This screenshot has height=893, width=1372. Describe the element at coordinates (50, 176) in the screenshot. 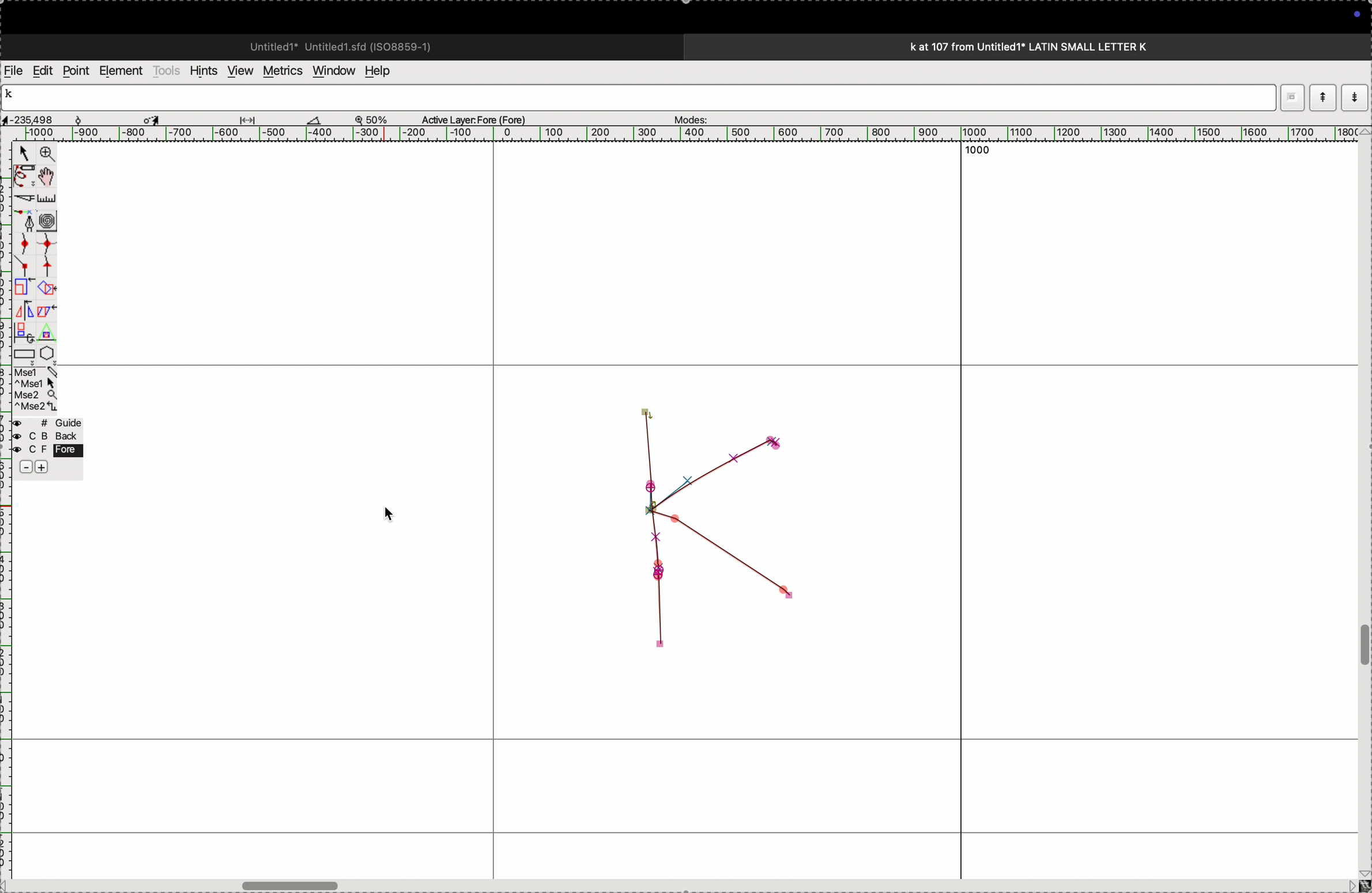

I see `toggle` at that location.